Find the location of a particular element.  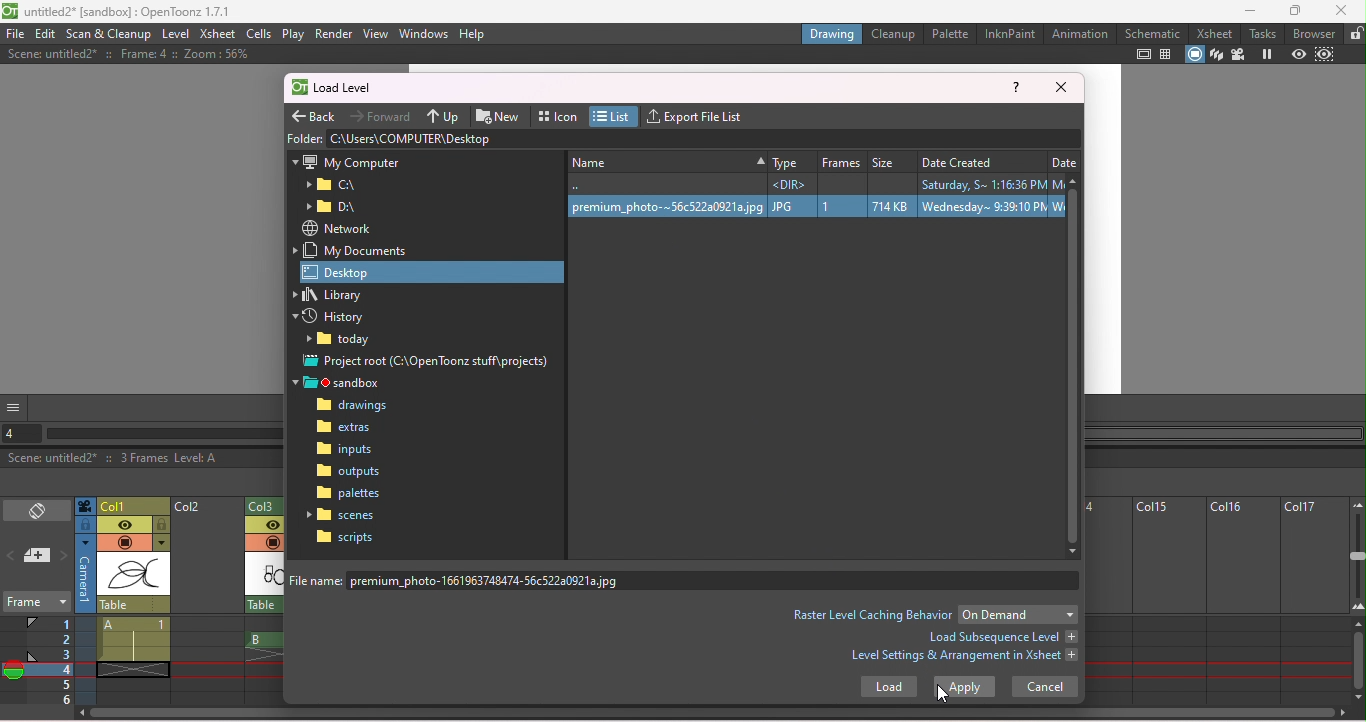

Level settings & Arrangement in Xsheet is located at coordinates (965, 658).